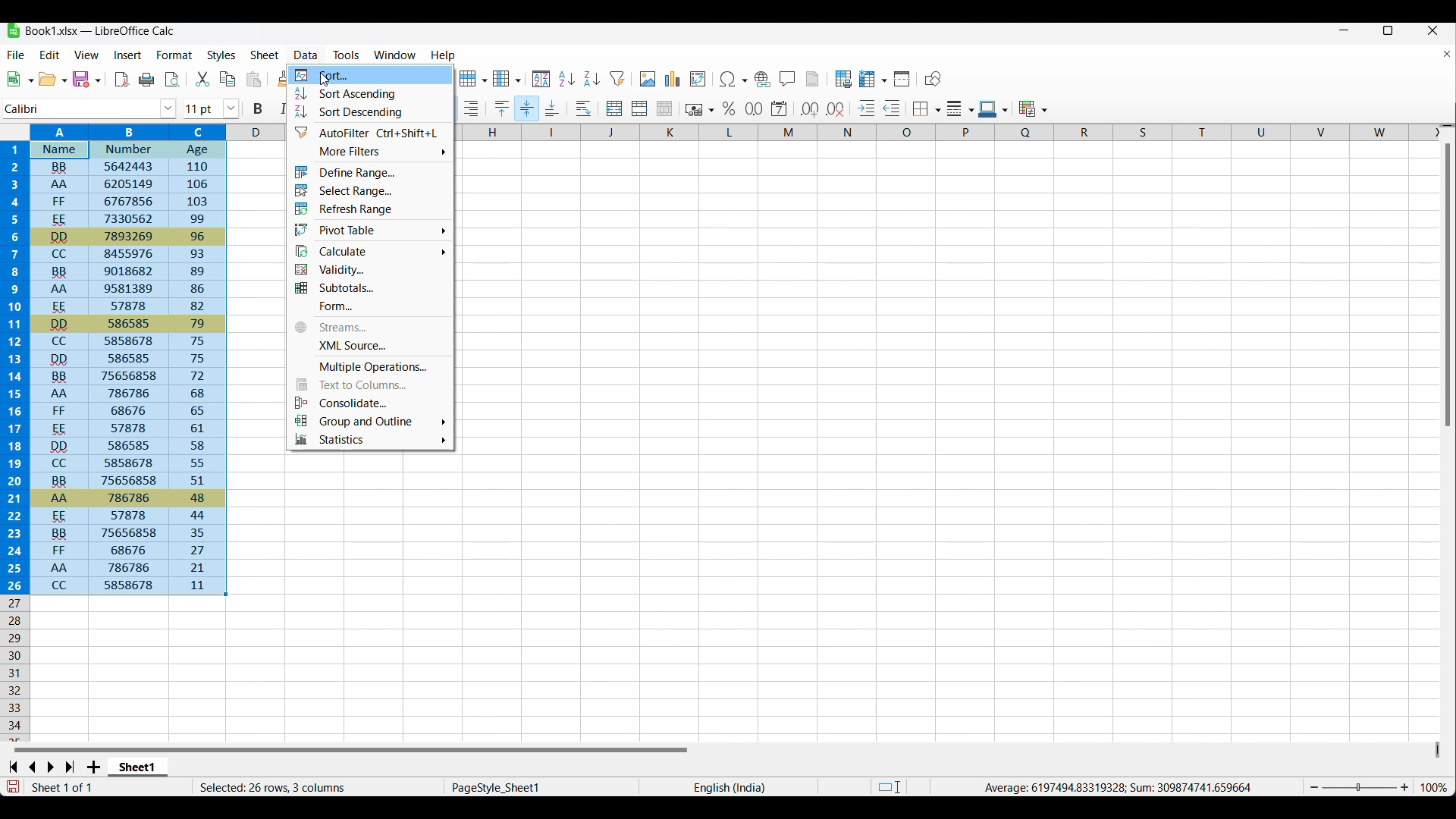 The height and width of the screenshot is (819, 1456). What do you see at coordinates (618, 79) in the screenshot?
I see `Autofilter` at bounding box center [618, 79].